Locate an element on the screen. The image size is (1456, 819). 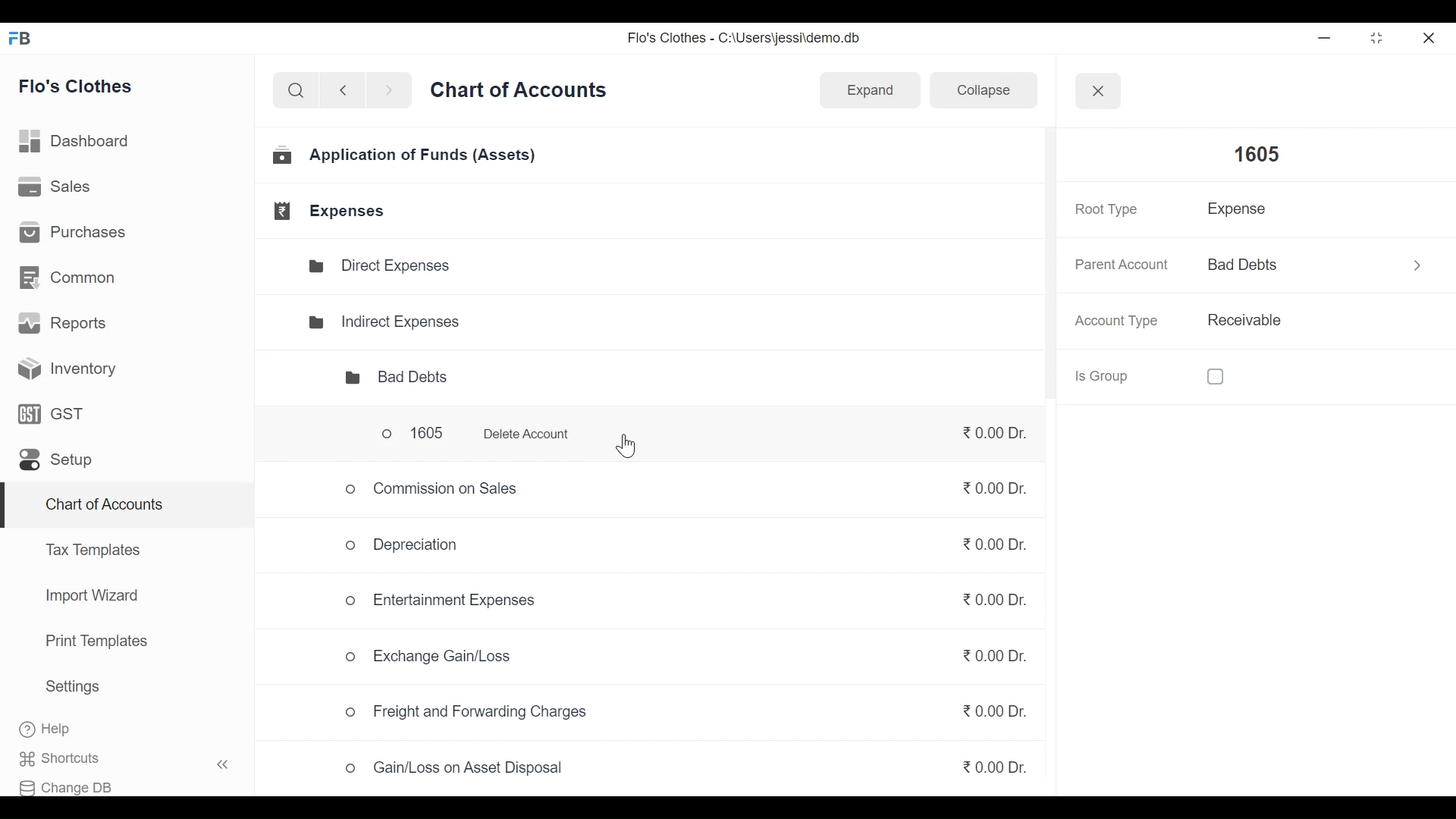
minimize is located at coordinates (1327, 38).